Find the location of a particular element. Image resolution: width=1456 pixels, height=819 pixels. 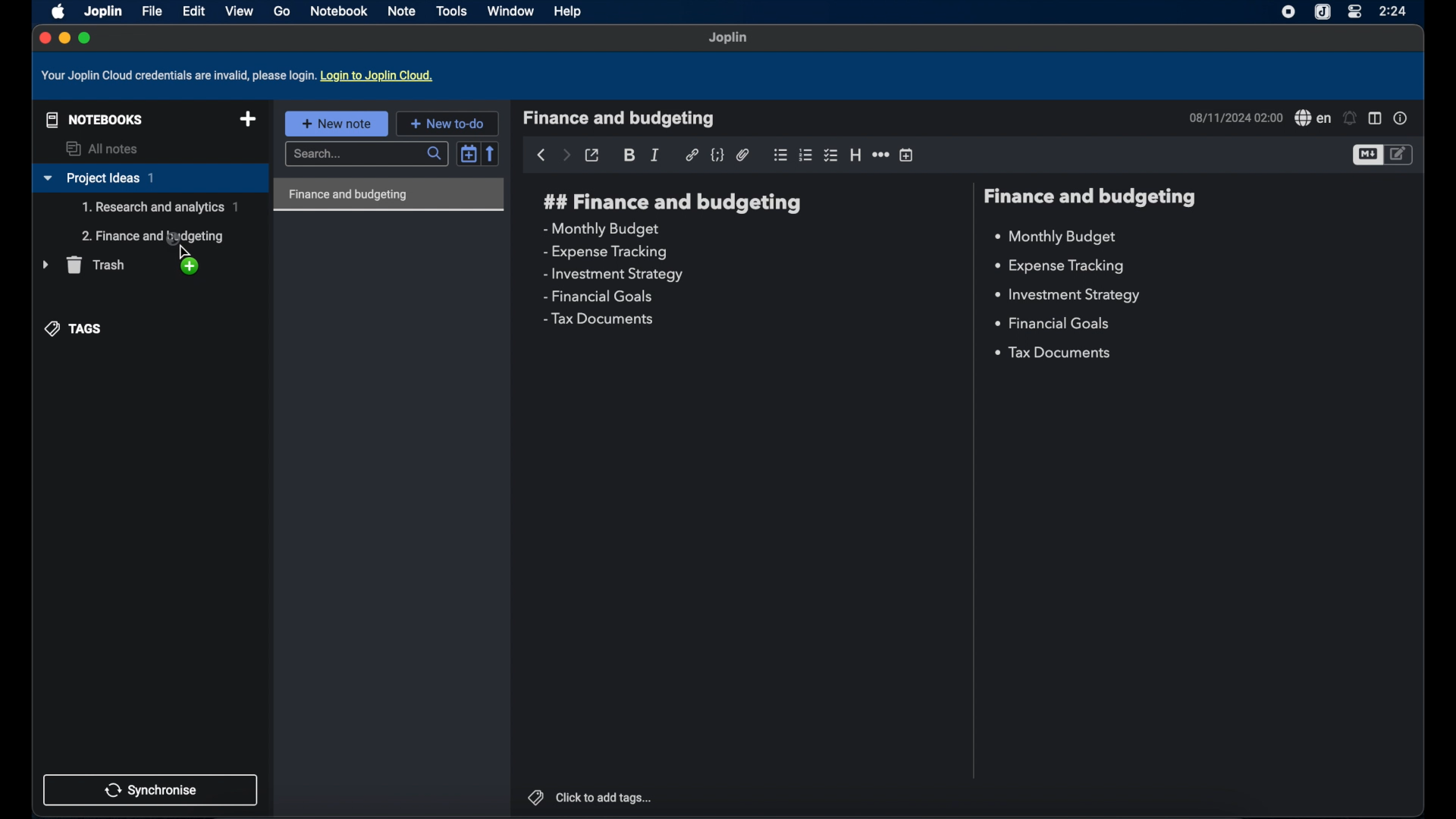

view is located at coordinates (239, 11).